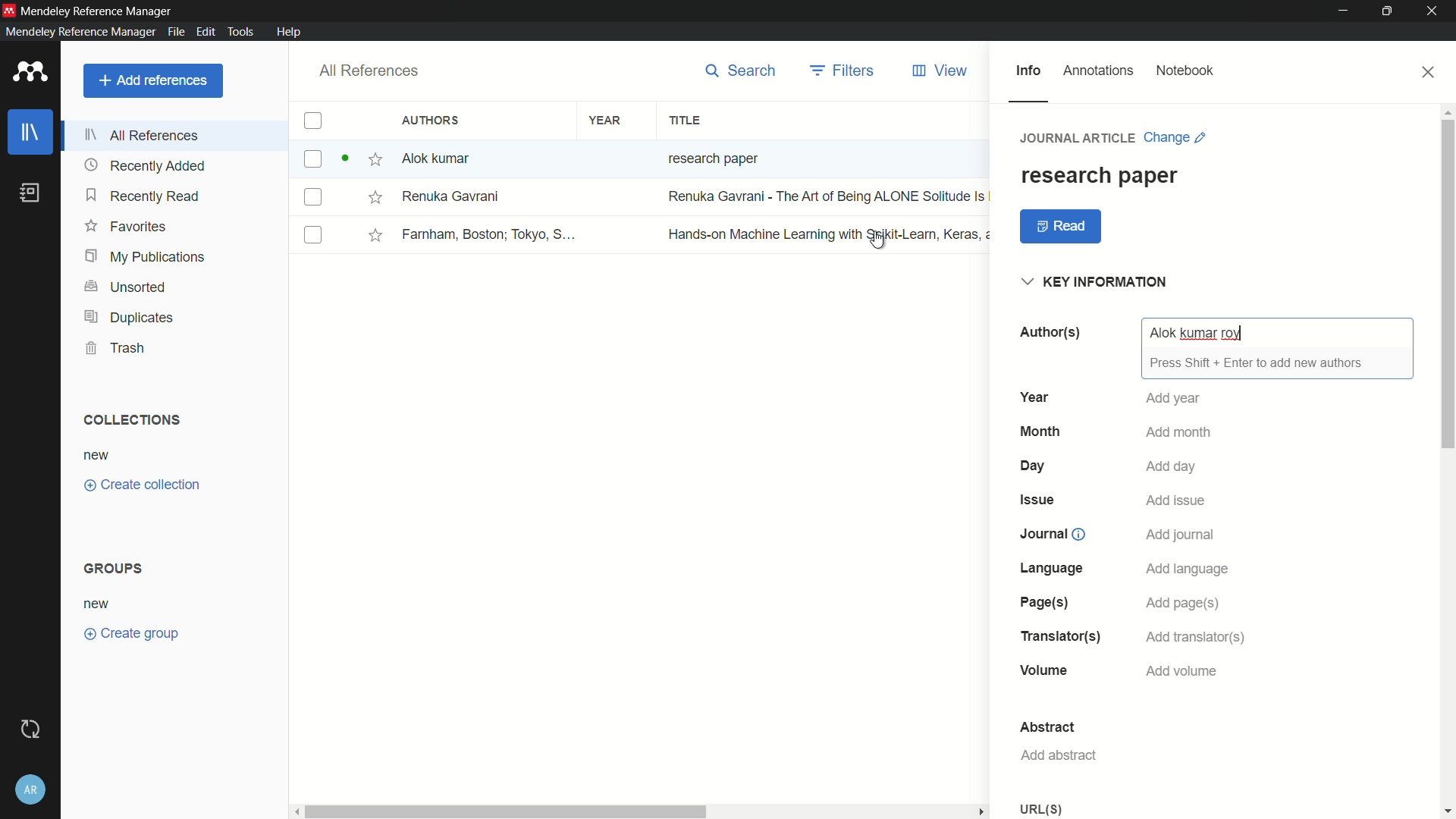 Image resolution: width=1456 pixels, height=819 pixels. Describe the element at coordinates (366, 71) in the screenshot. I see `all references` at that location.